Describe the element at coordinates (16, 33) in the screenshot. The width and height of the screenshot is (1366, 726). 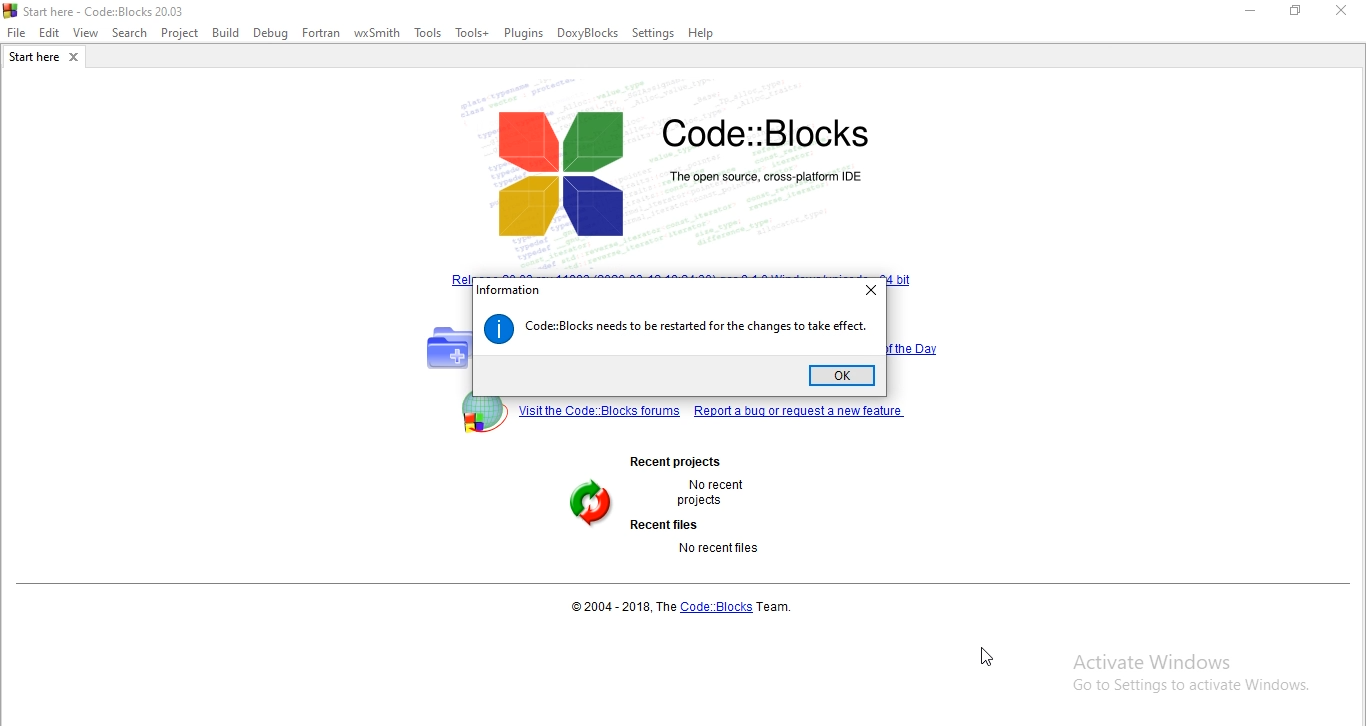
I see `File ` at that location.